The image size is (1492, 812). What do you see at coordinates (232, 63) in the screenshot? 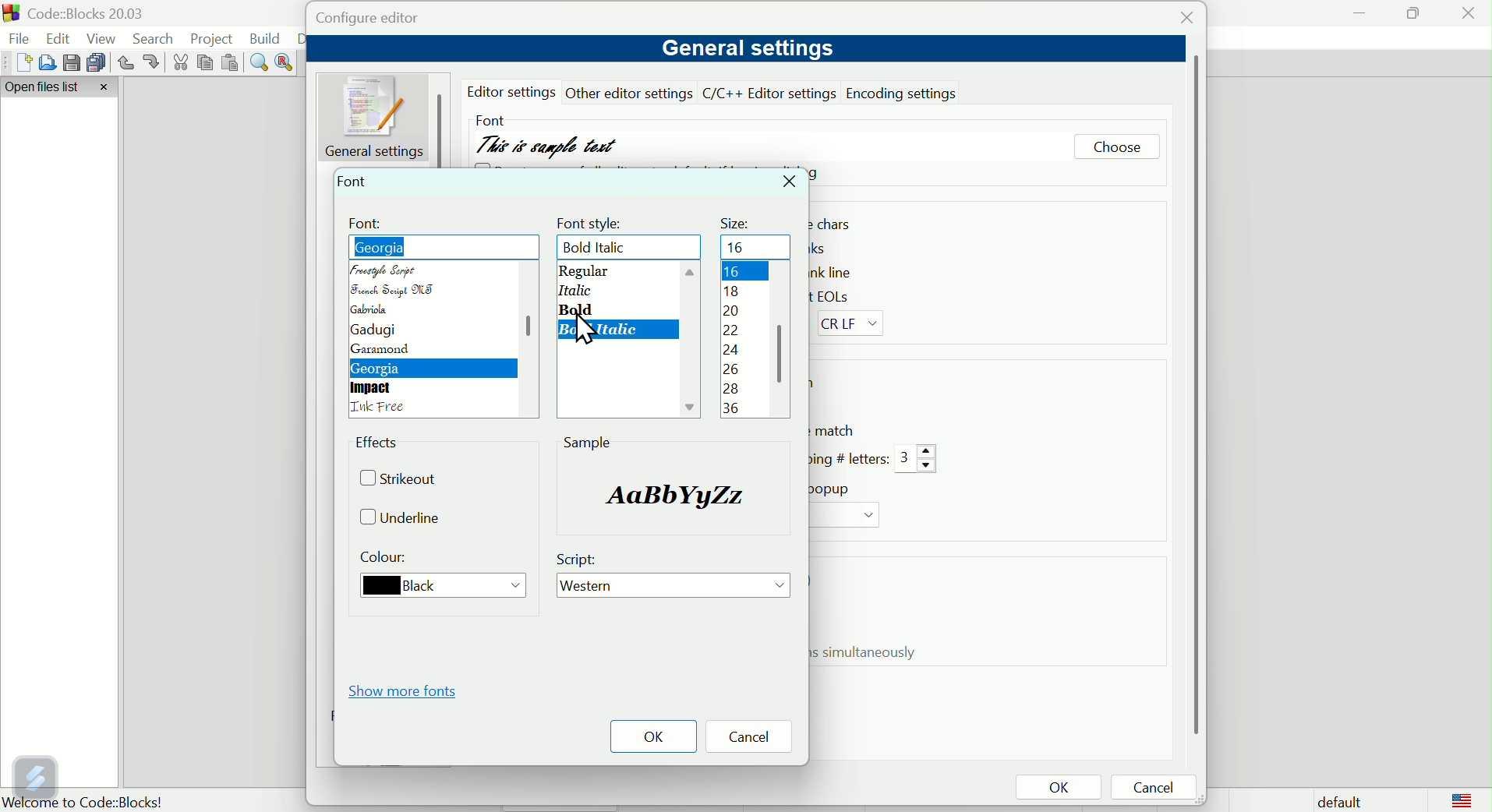
I see `Paste` at bounding box center [232, 63].